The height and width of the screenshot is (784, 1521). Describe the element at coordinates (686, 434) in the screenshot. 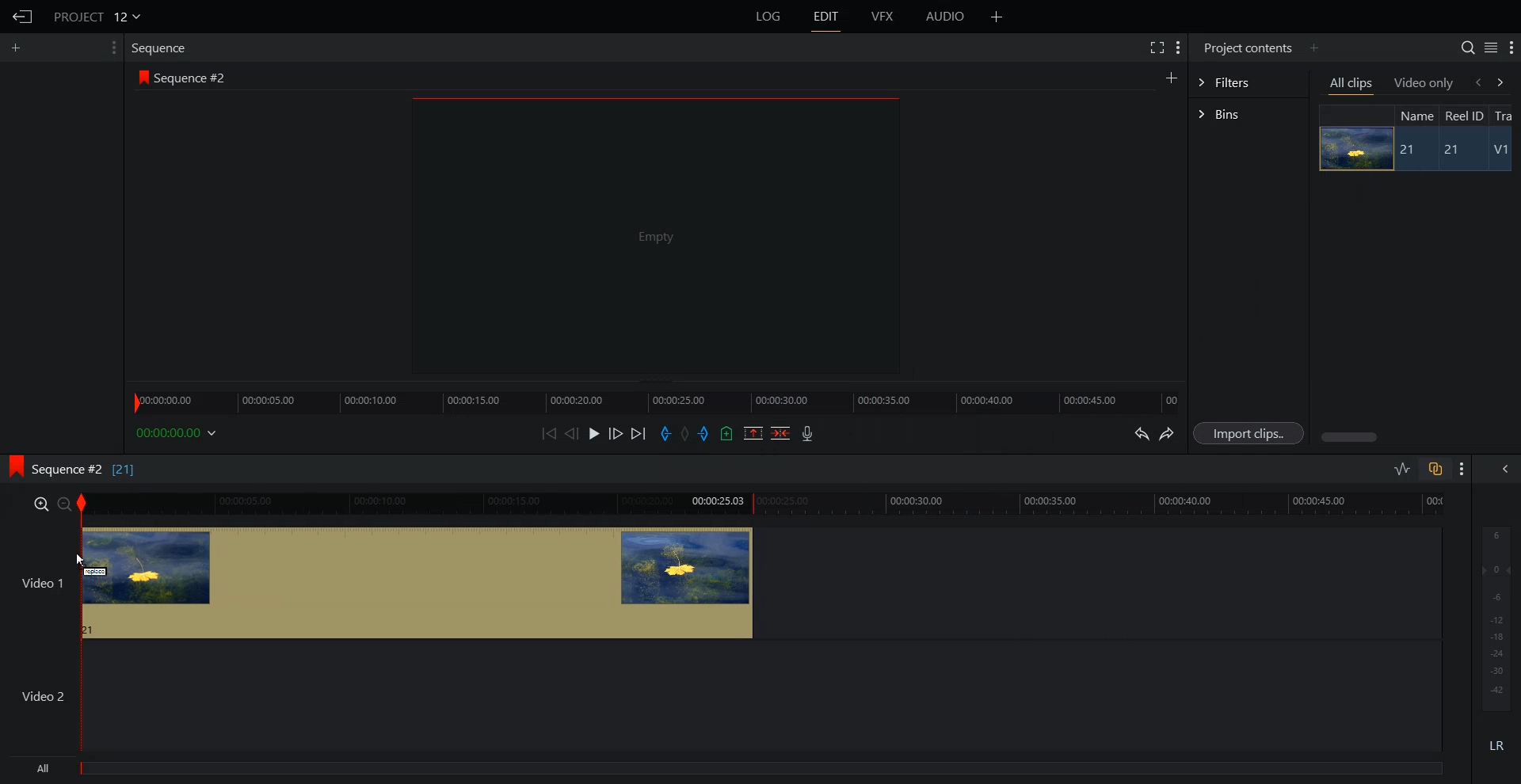

I see `Clear all marks` at that location.